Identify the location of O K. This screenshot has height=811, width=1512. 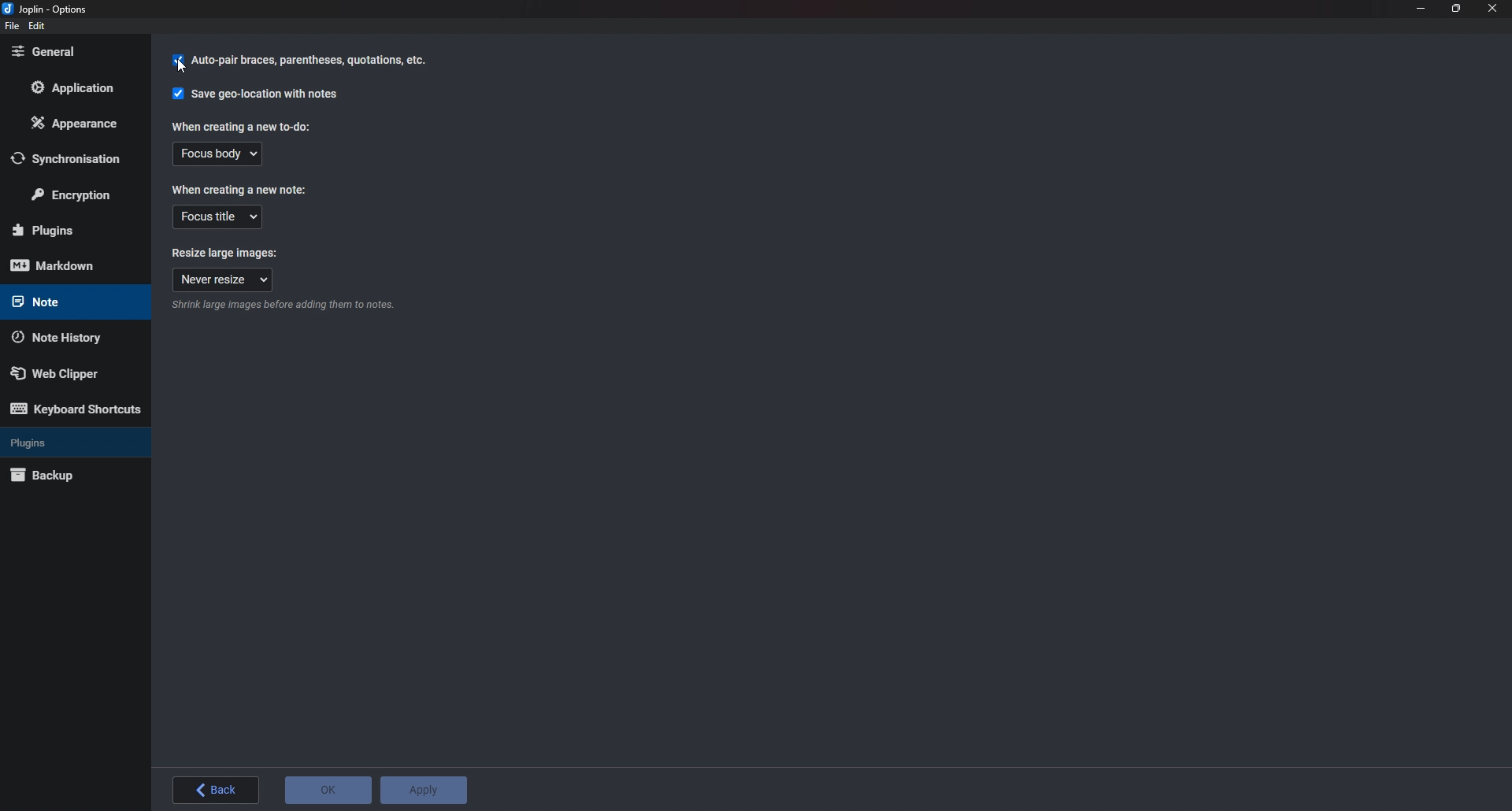
(328, 790).